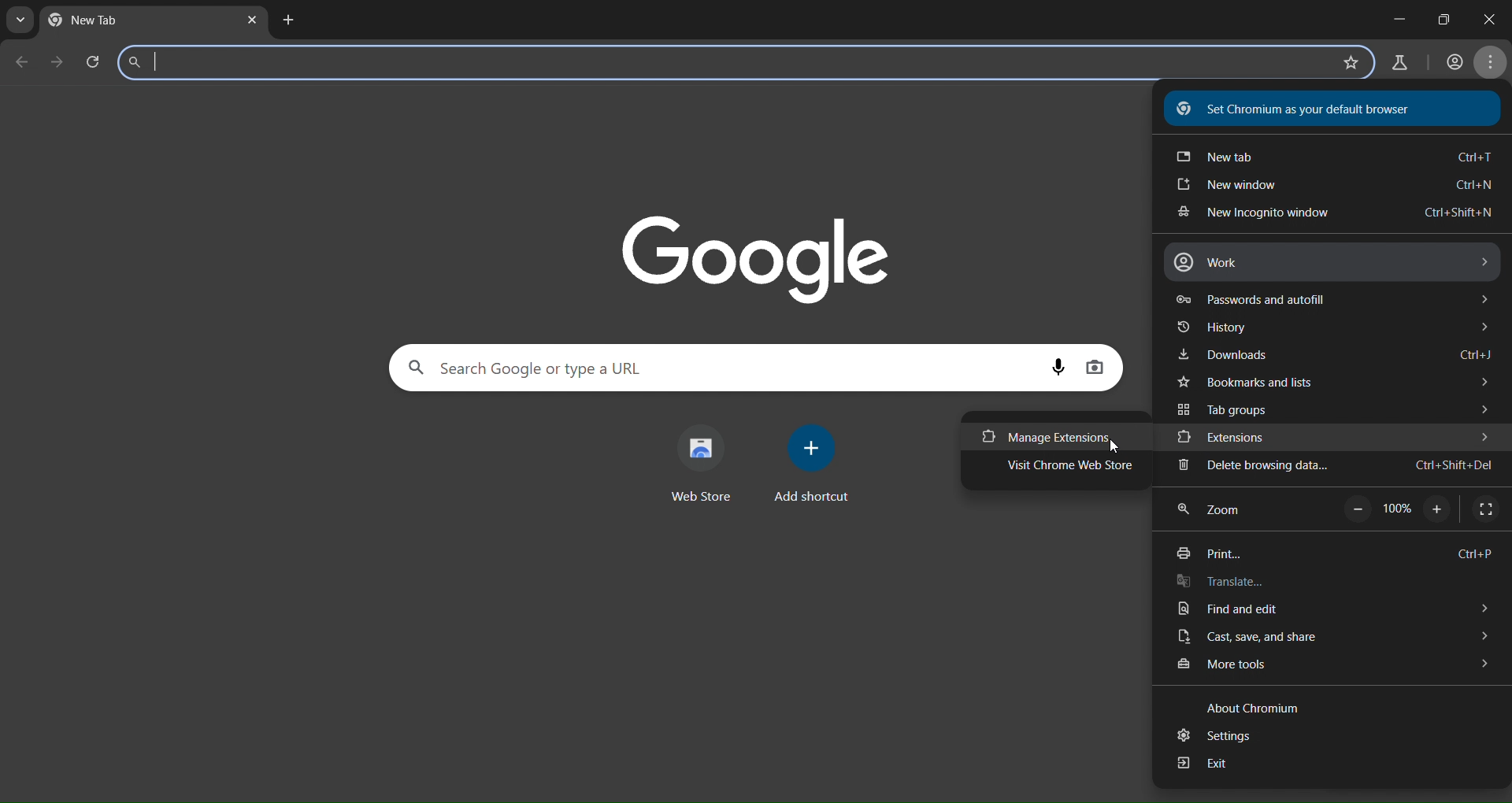  I want to click on extensions, so click(1332, 437).